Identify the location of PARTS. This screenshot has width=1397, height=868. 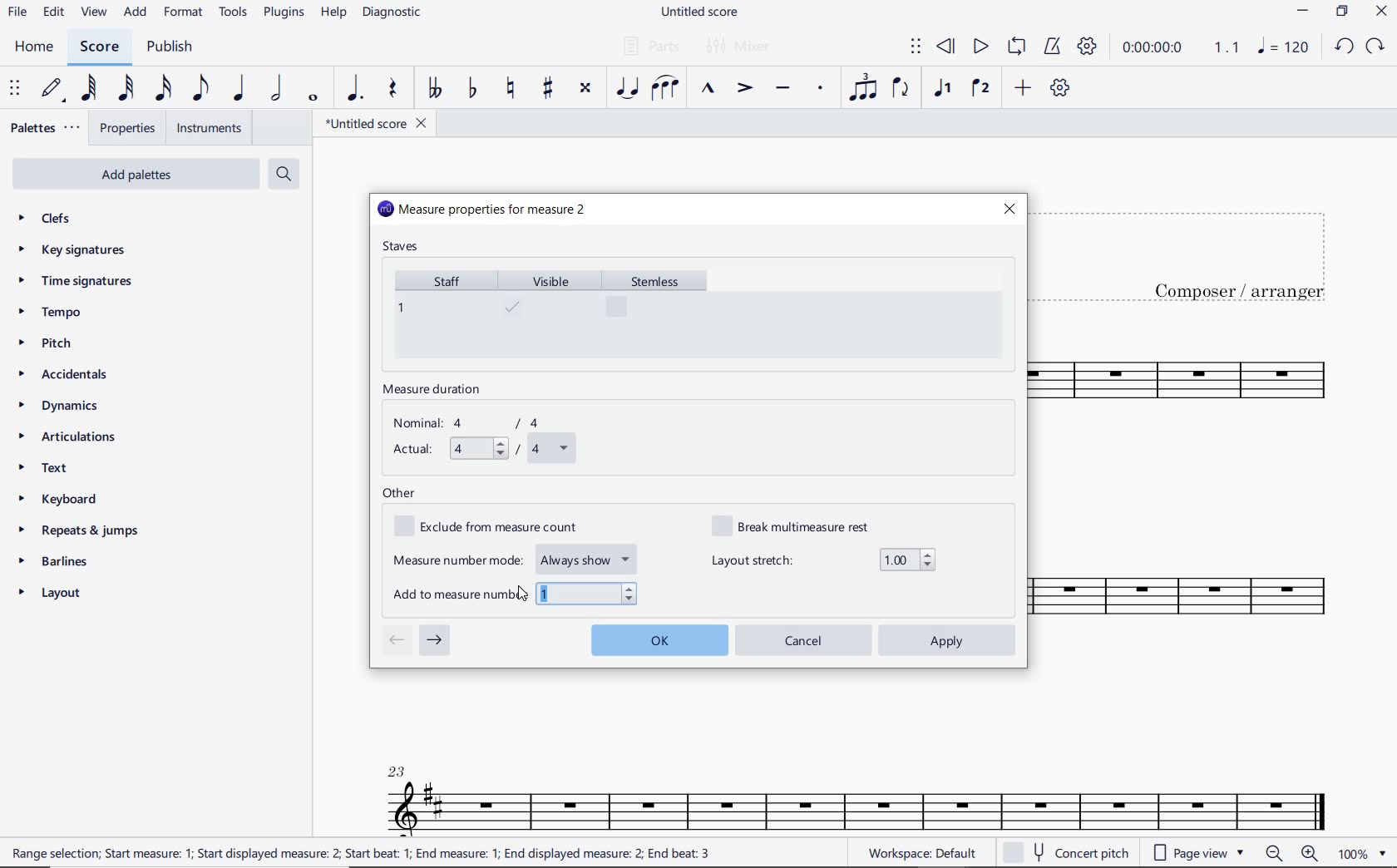
(650, 45).